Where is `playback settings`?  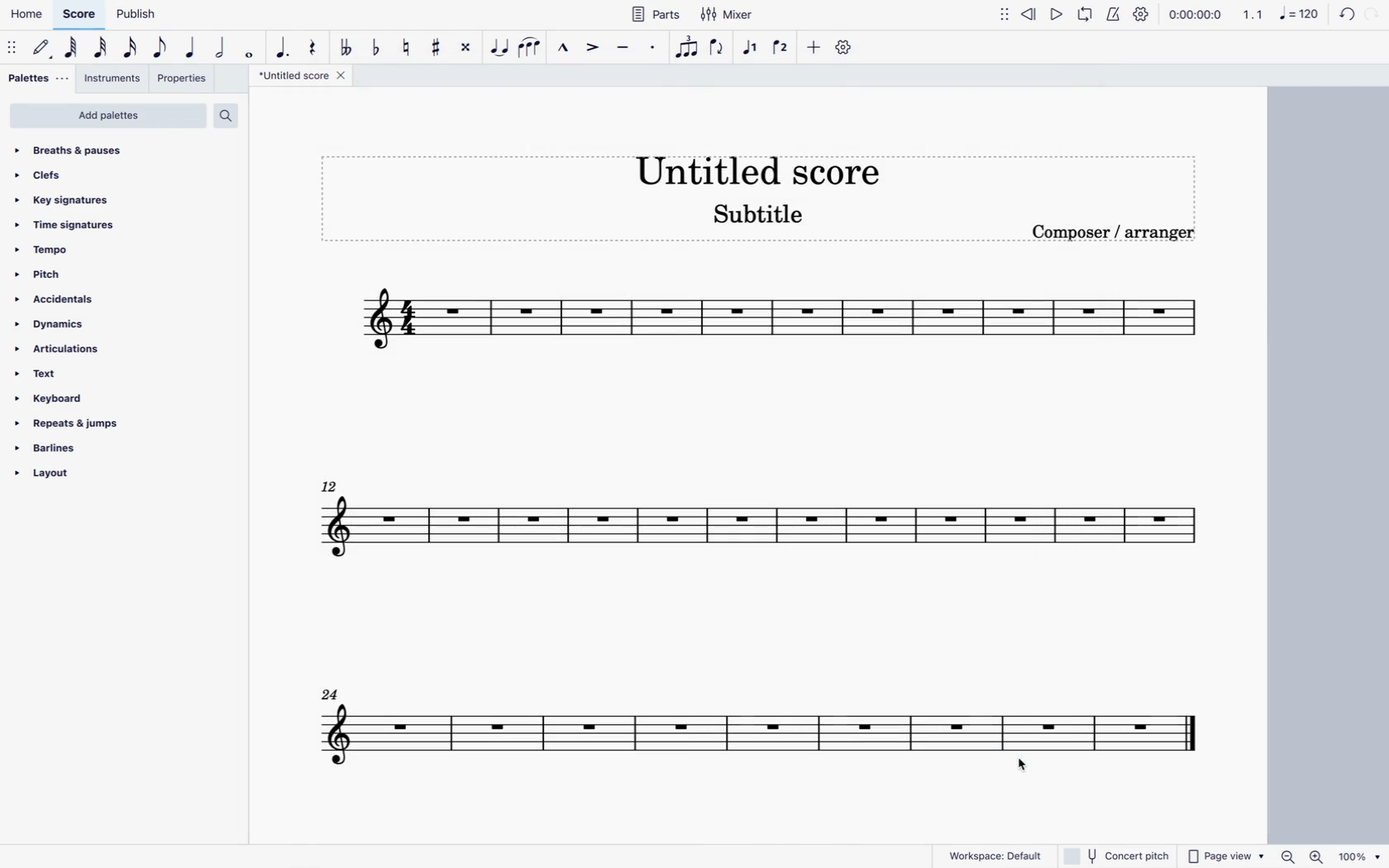
playback settings is located at coordinates (1141, 16).